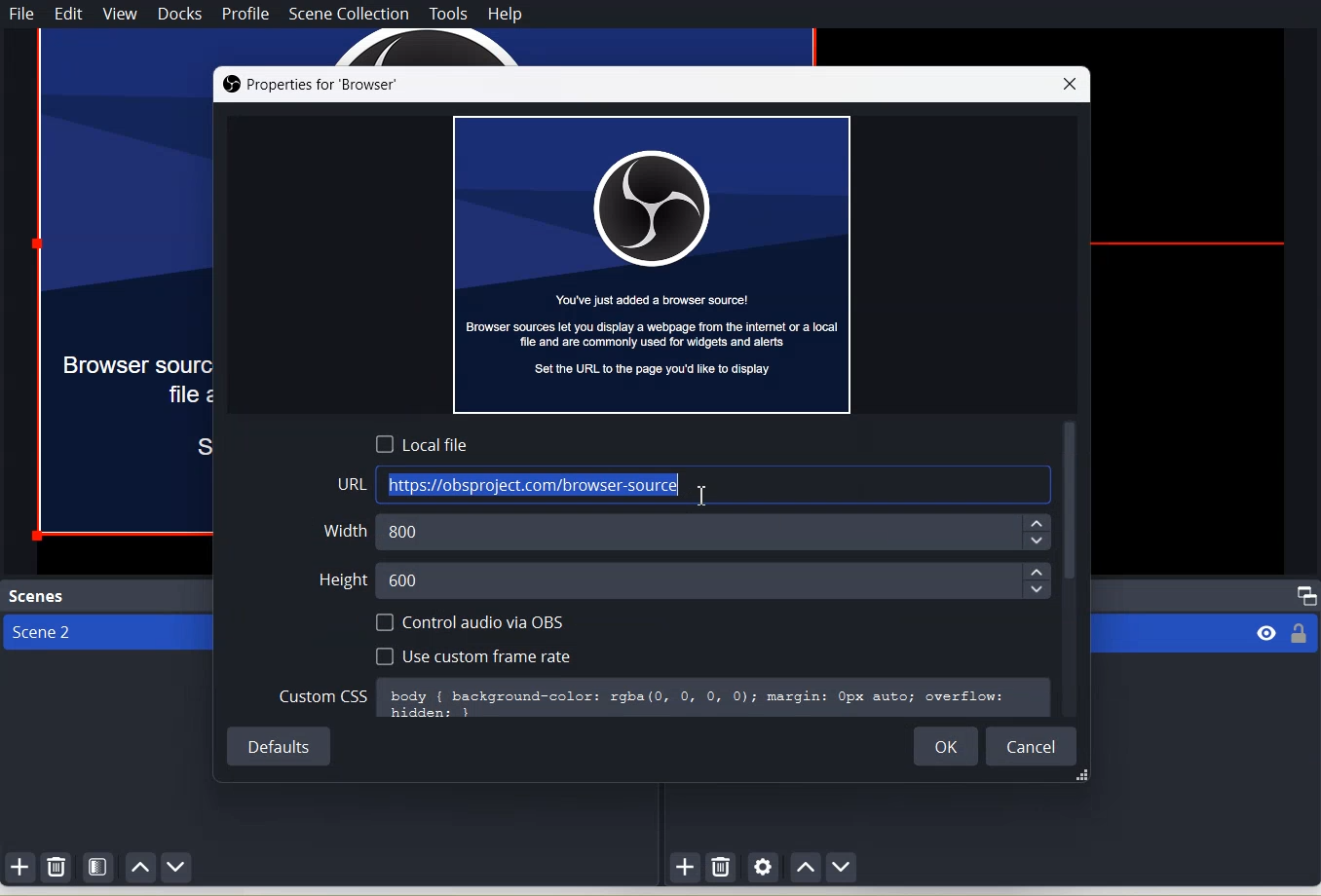 The height and width of the screenshot is (896, 1321). What do you see at coordinates (323, 695) in the screenshot?
I see `Custom CSS` at bounding box center [323, 695].